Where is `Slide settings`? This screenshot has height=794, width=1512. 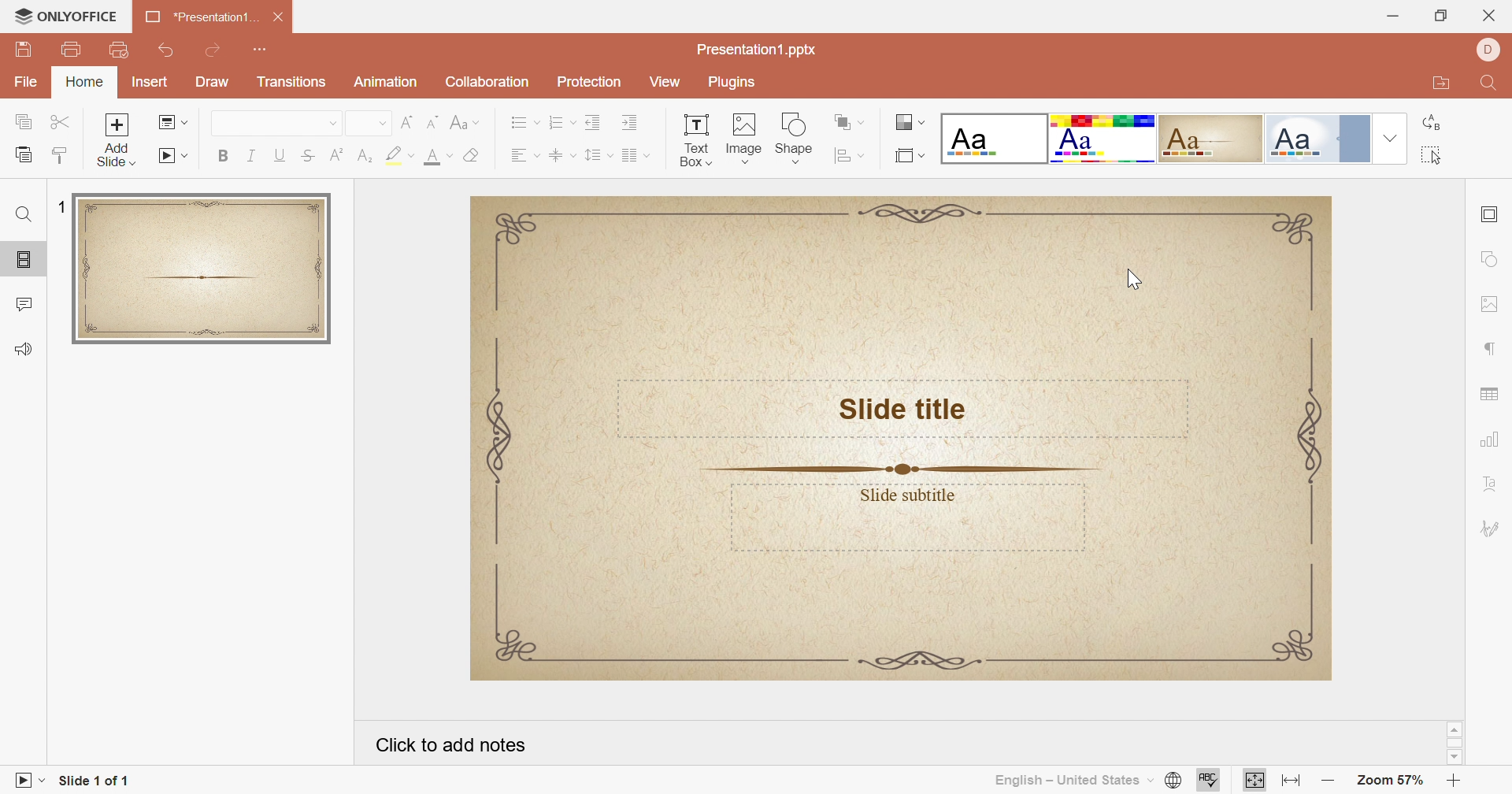 Slide settings is located at coordinates (1494, 213).